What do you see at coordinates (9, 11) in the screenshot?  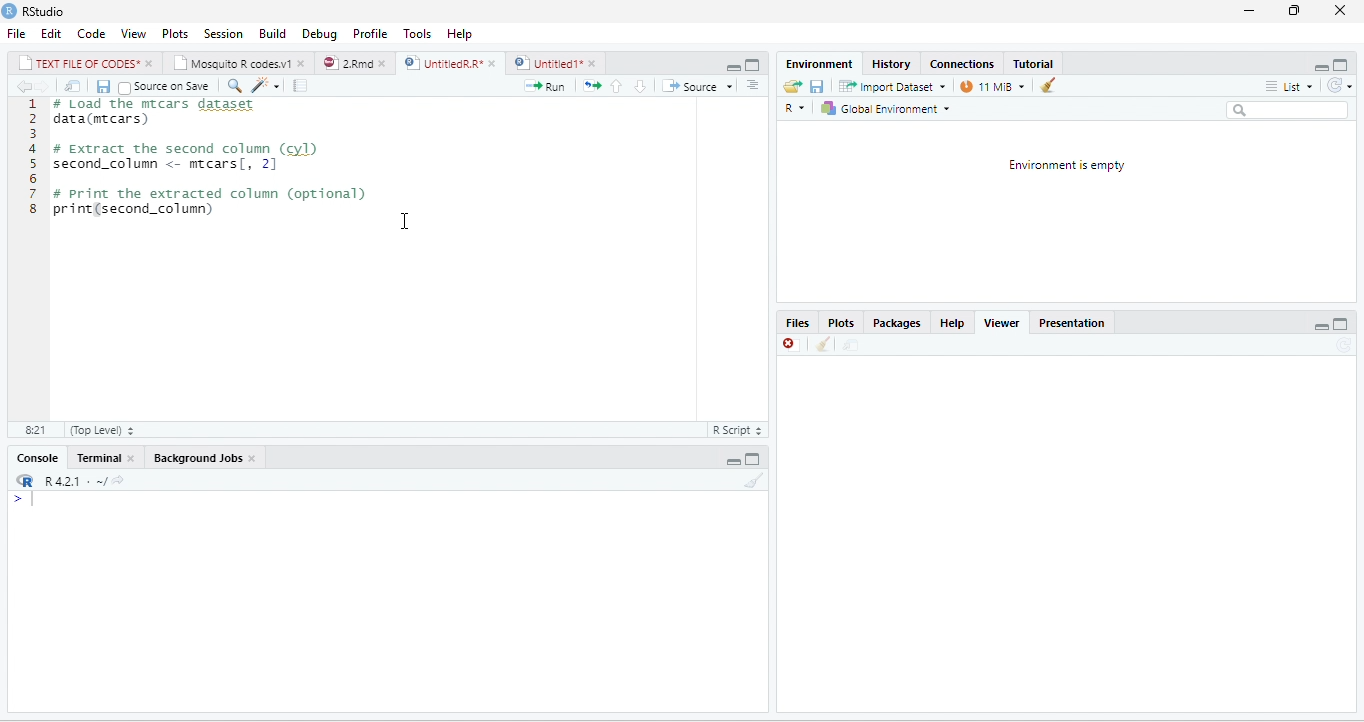 I see `RStudio logo` at bounding box center [9, 11].